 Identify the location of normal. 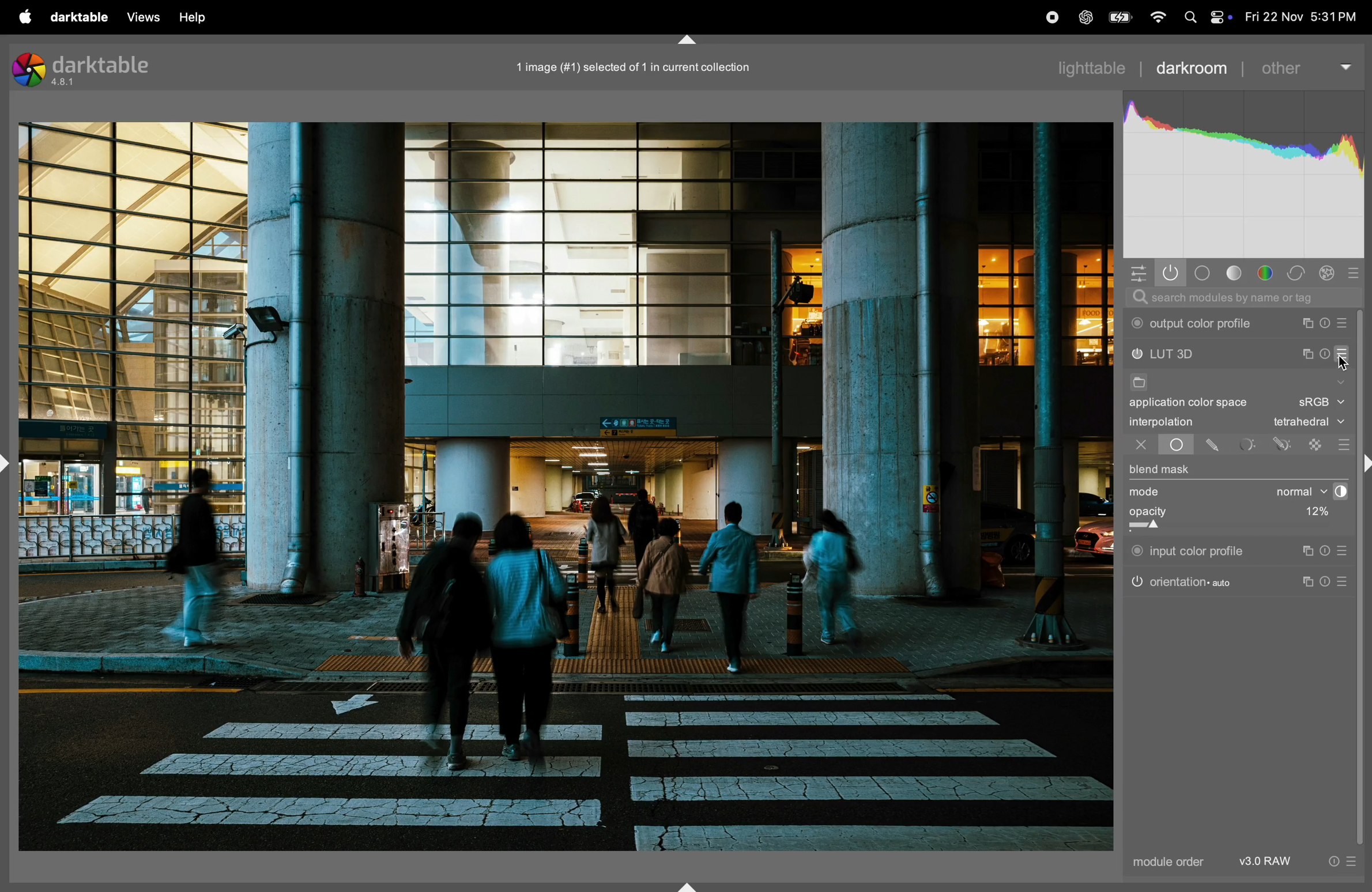
(1291, 492).